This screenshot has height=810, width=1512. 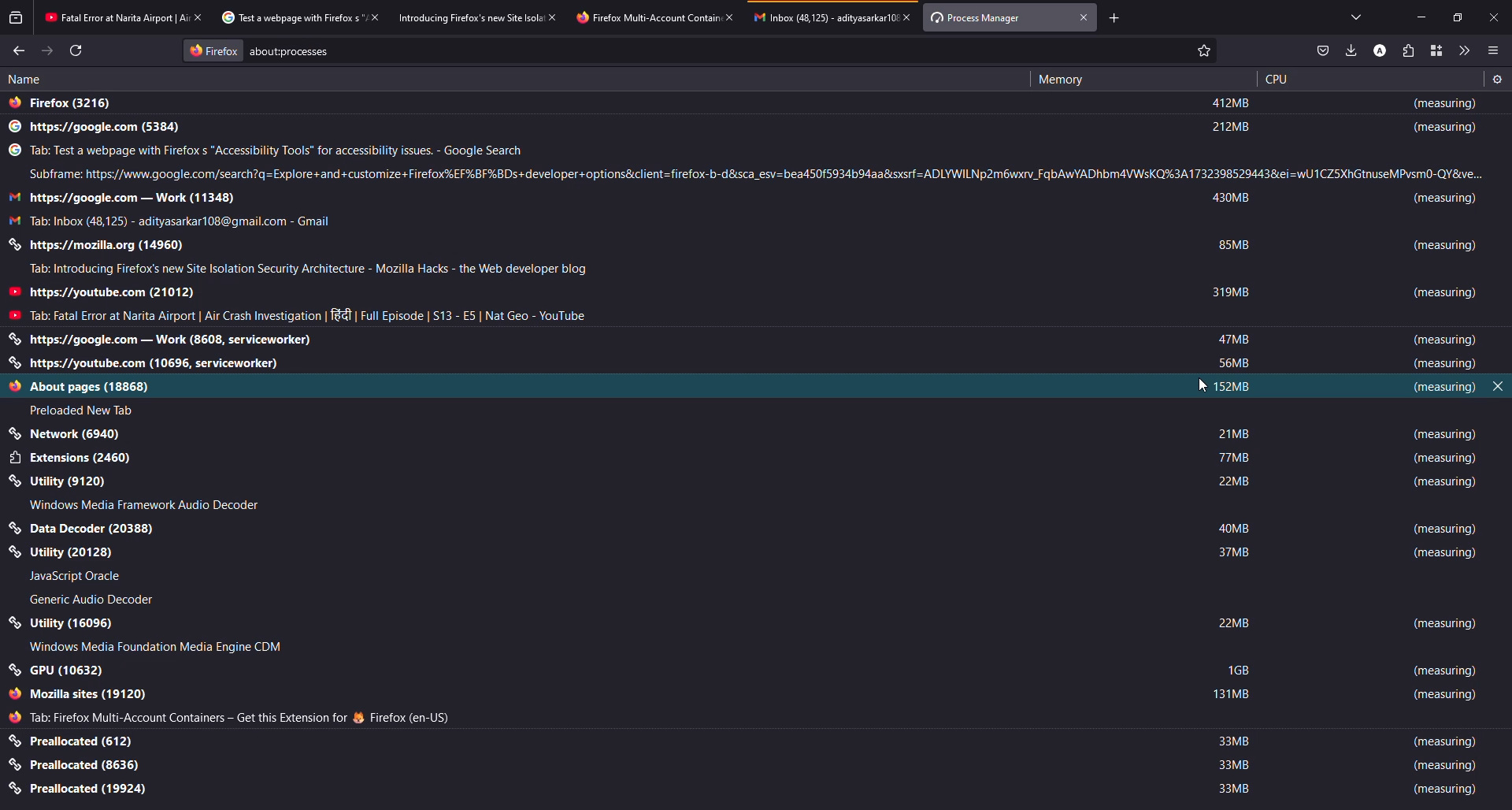 What do you see at coordinates (141, 506) in the screenshot?
I see `Windows media framework audio decoder` at bounding box center [141, 506].